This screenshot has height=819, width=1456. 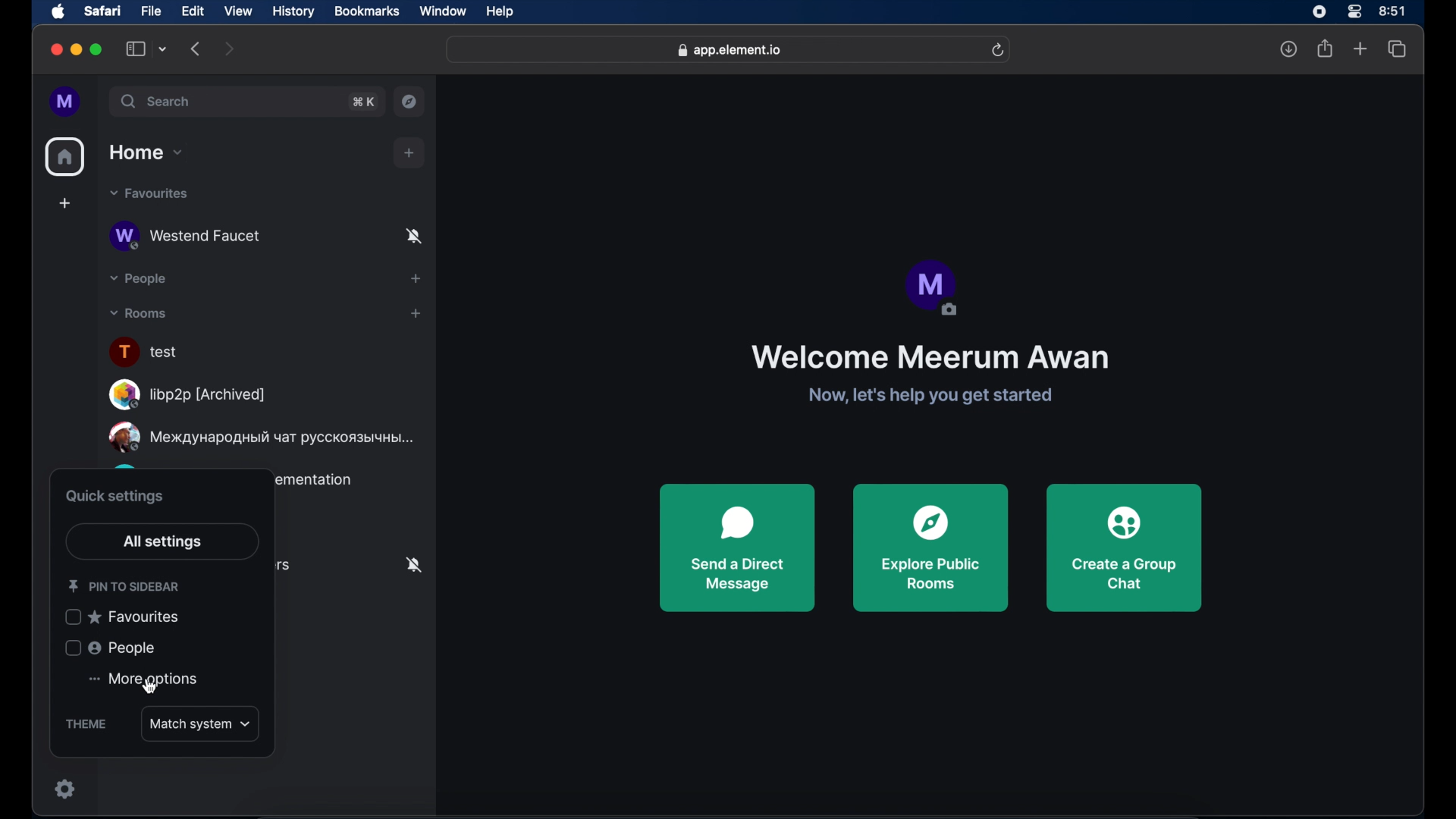 I want to click on notification , so click(x=413, y=566).